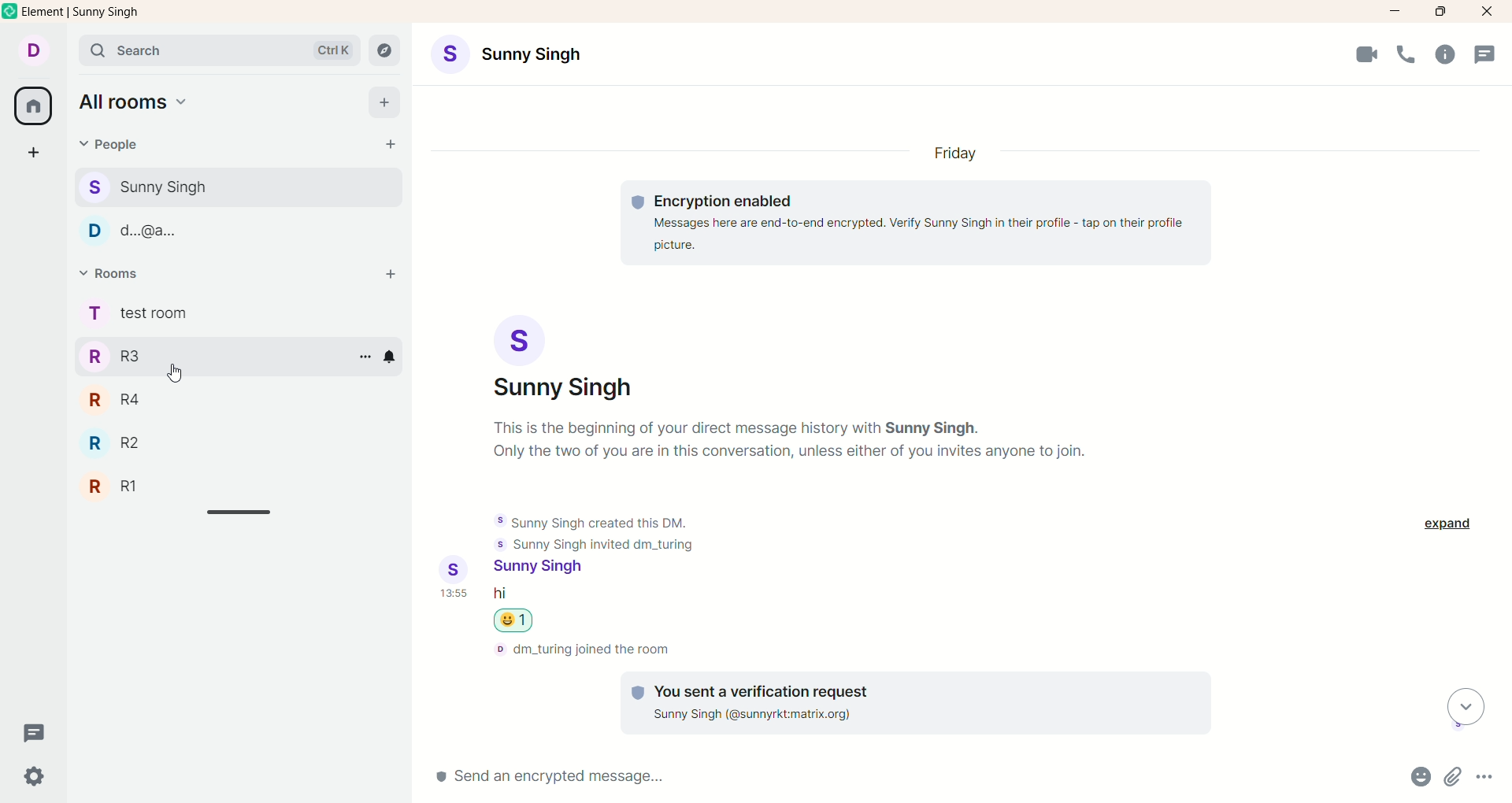 The width and height of the screenshot is (1512, 803). Describe the element at coordinates (558, 358) in the screenshot. I see `account` at that location.